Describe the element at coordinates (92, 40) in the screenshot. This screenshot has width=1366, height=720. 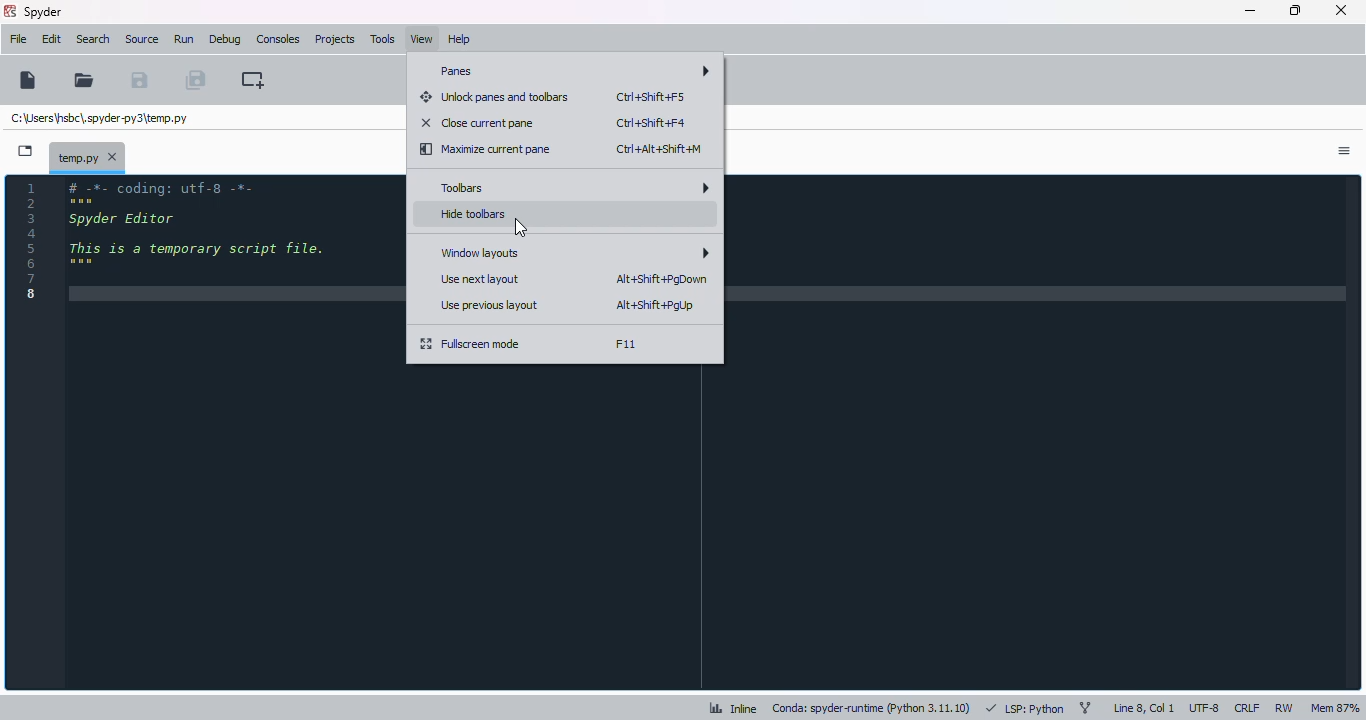
I see `search` at that location.